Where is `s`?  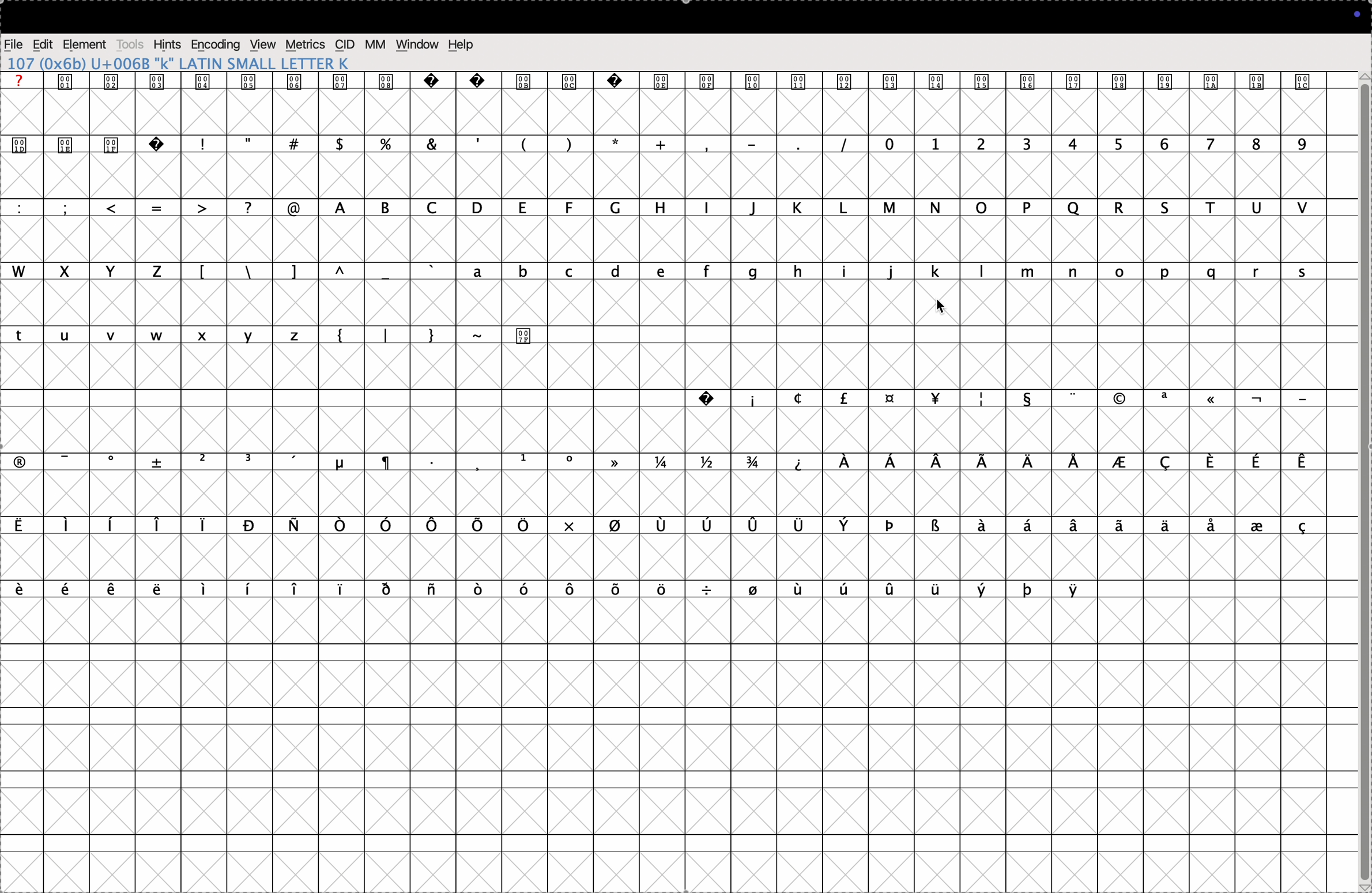
s is located at coordinates (1166, 208).